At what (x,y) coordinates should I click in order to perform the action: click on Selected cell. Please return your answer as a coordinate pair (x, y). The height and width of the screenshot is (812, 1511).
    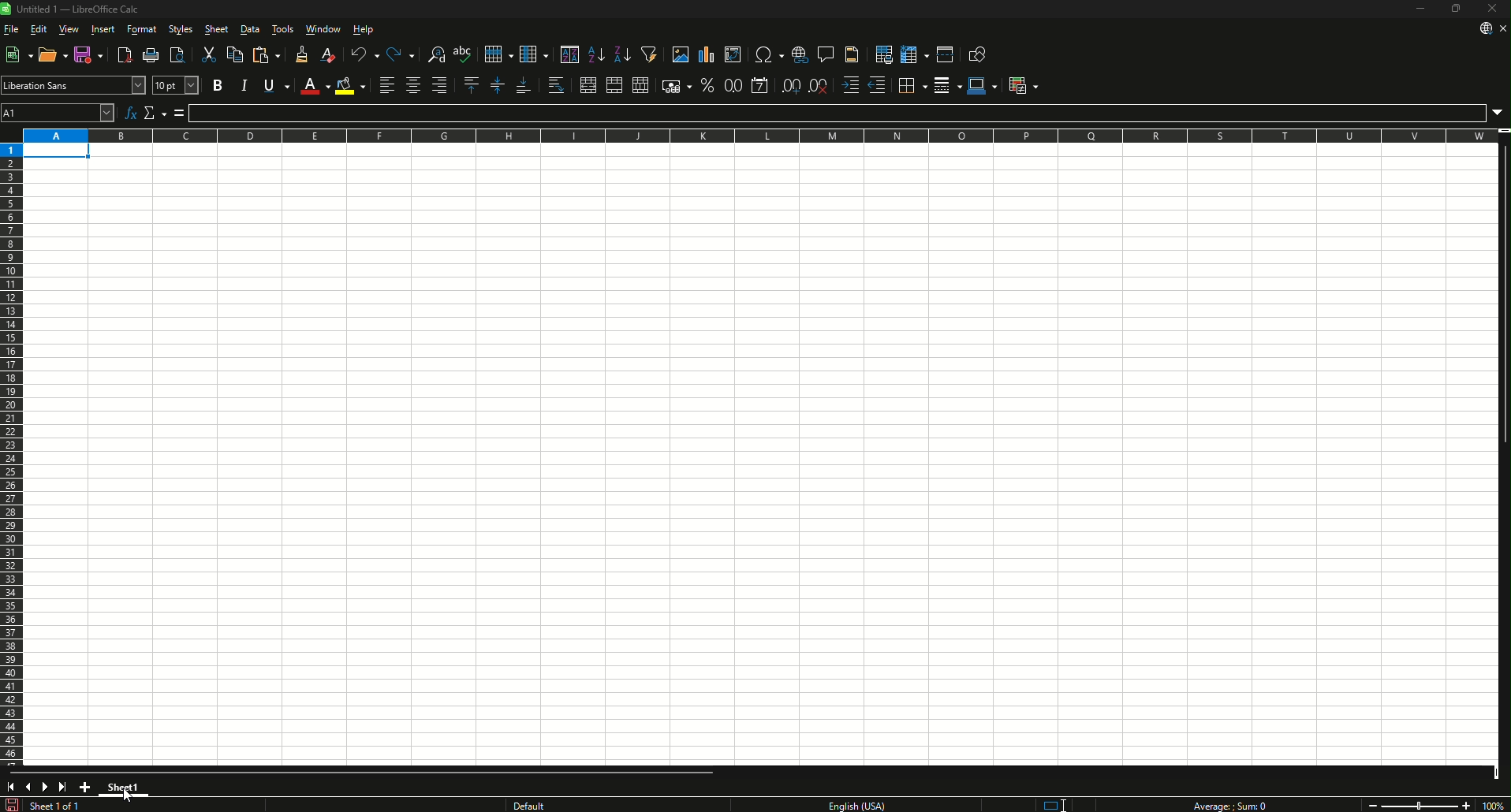
    Looking at the image, I should click on (57, 151).